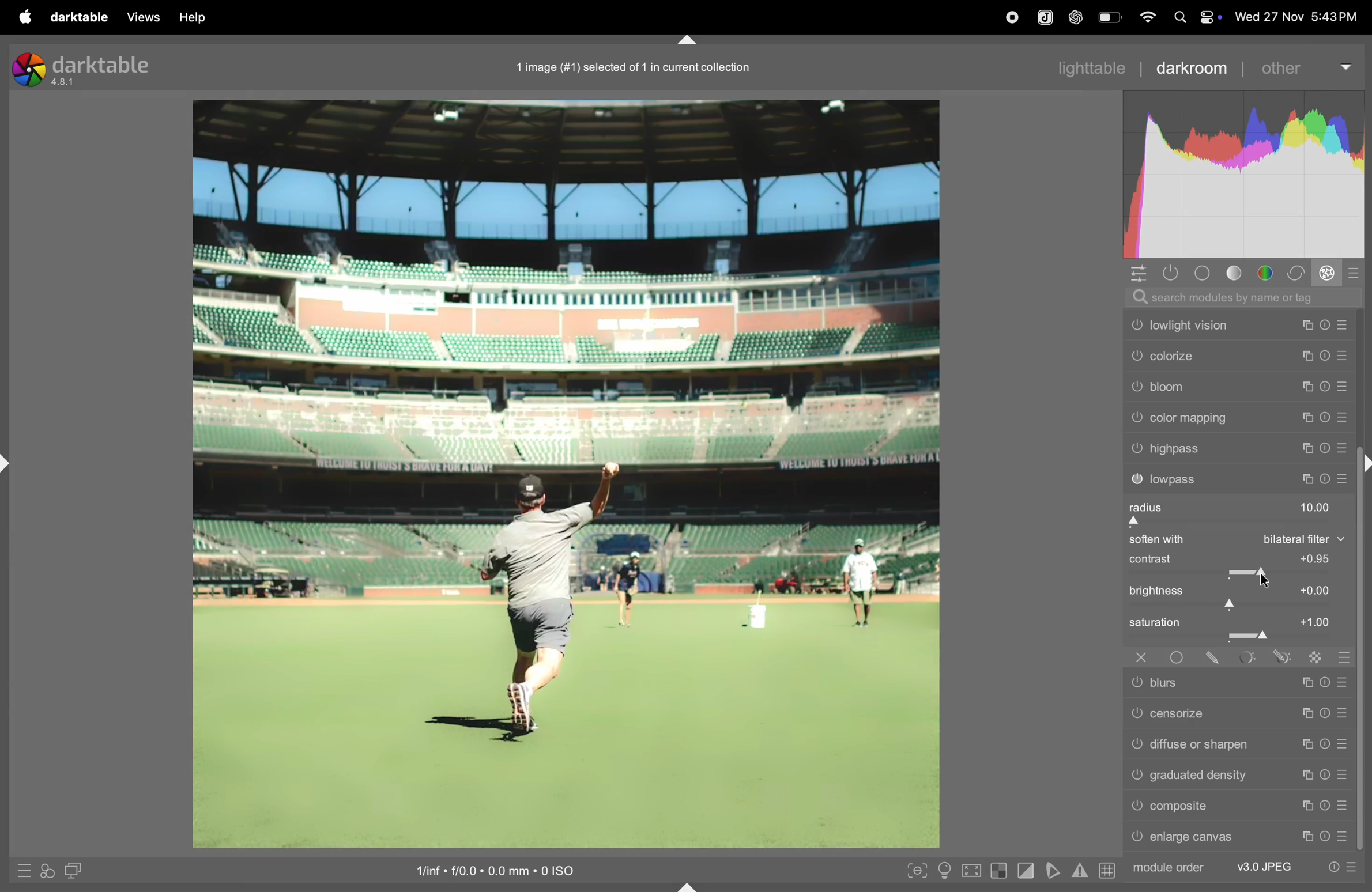  Describe the element at coordinates (1237, 448) in the screenshot. I see `high pass` at that location.